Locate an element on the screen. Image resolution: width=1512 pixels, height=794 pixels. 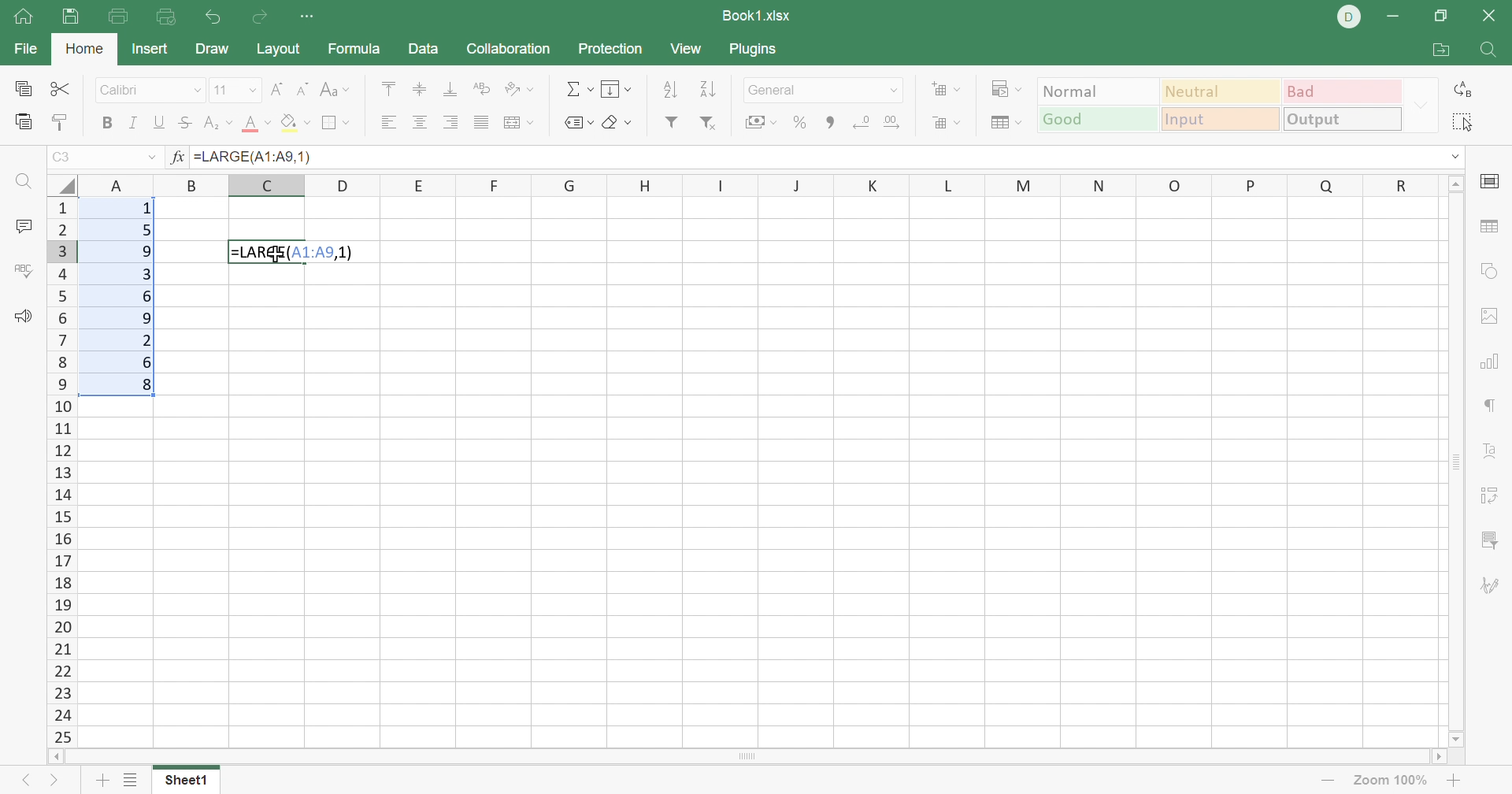
6 is located at coordinates (149, 362).